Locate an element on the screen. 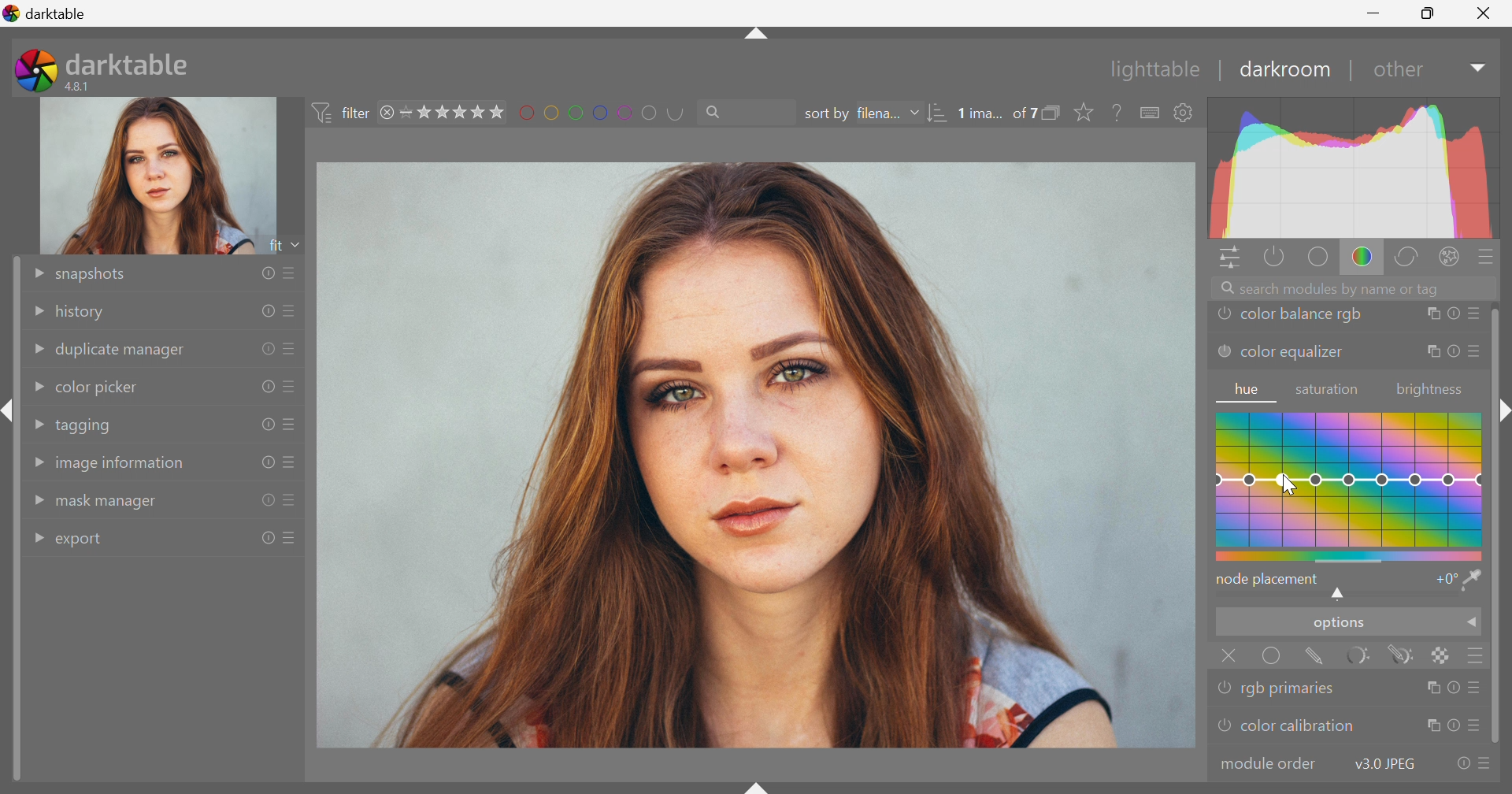 Image resolution: width=1512 pixels, height=794 pixels. presets is located at coordinates (1488, 256).